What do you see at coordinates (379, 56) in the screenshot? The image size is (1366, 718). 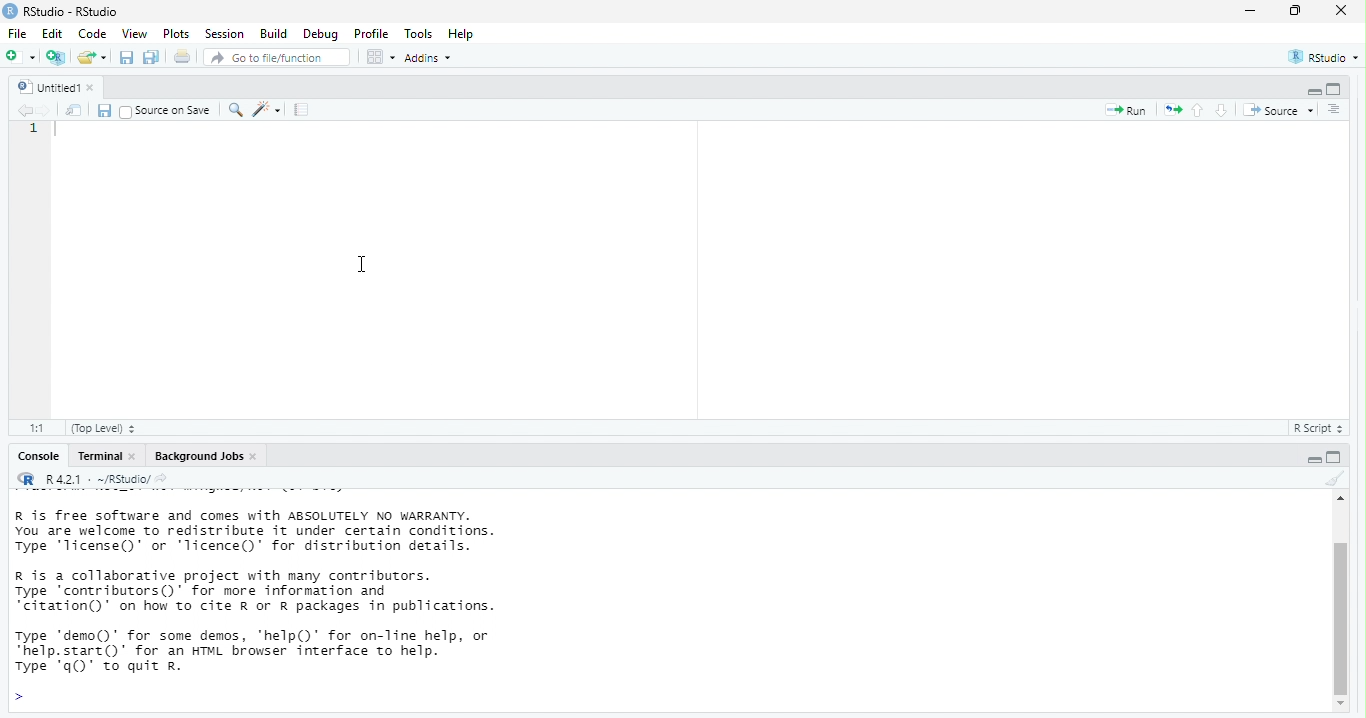 I see `workspace panes` at bounding box center [379, 56].